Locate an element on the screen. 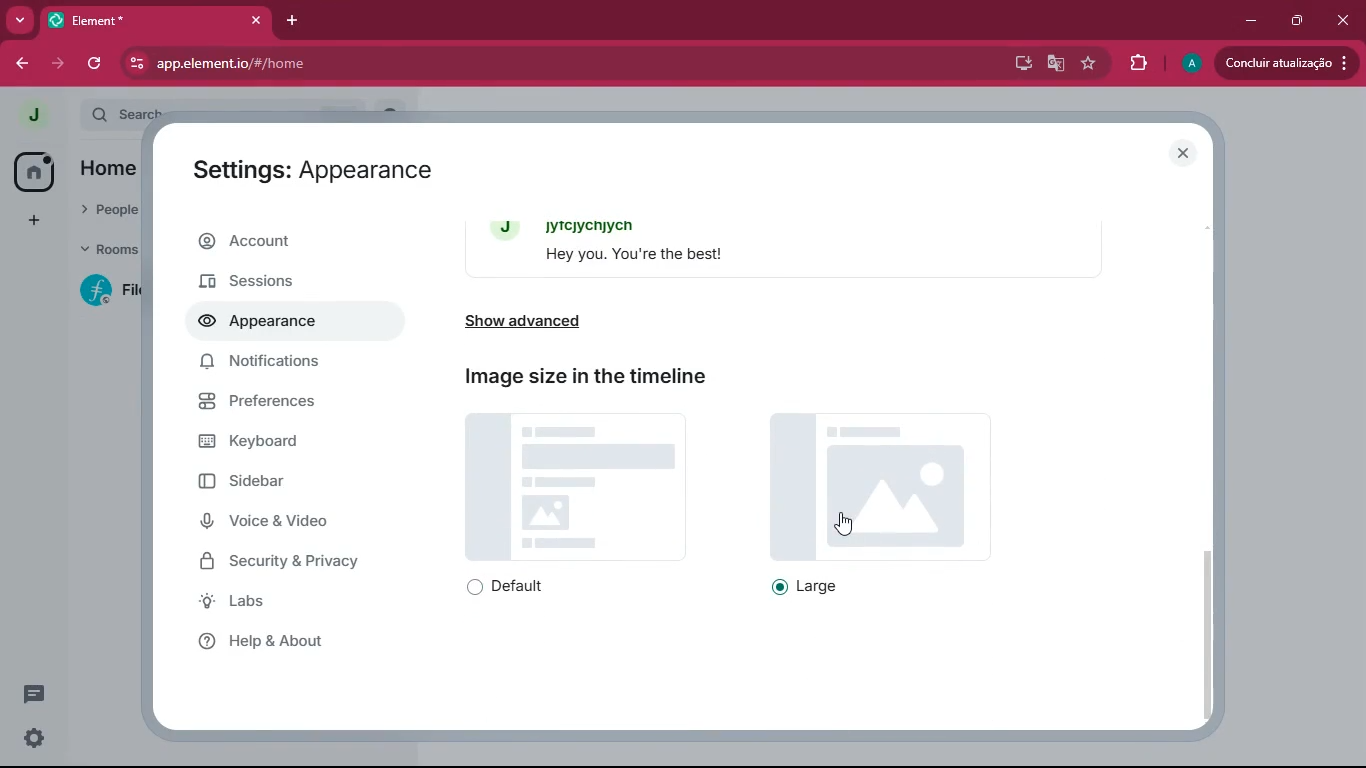 The image size is (1366, 768). keyboard is located at coordinates (277, 444).